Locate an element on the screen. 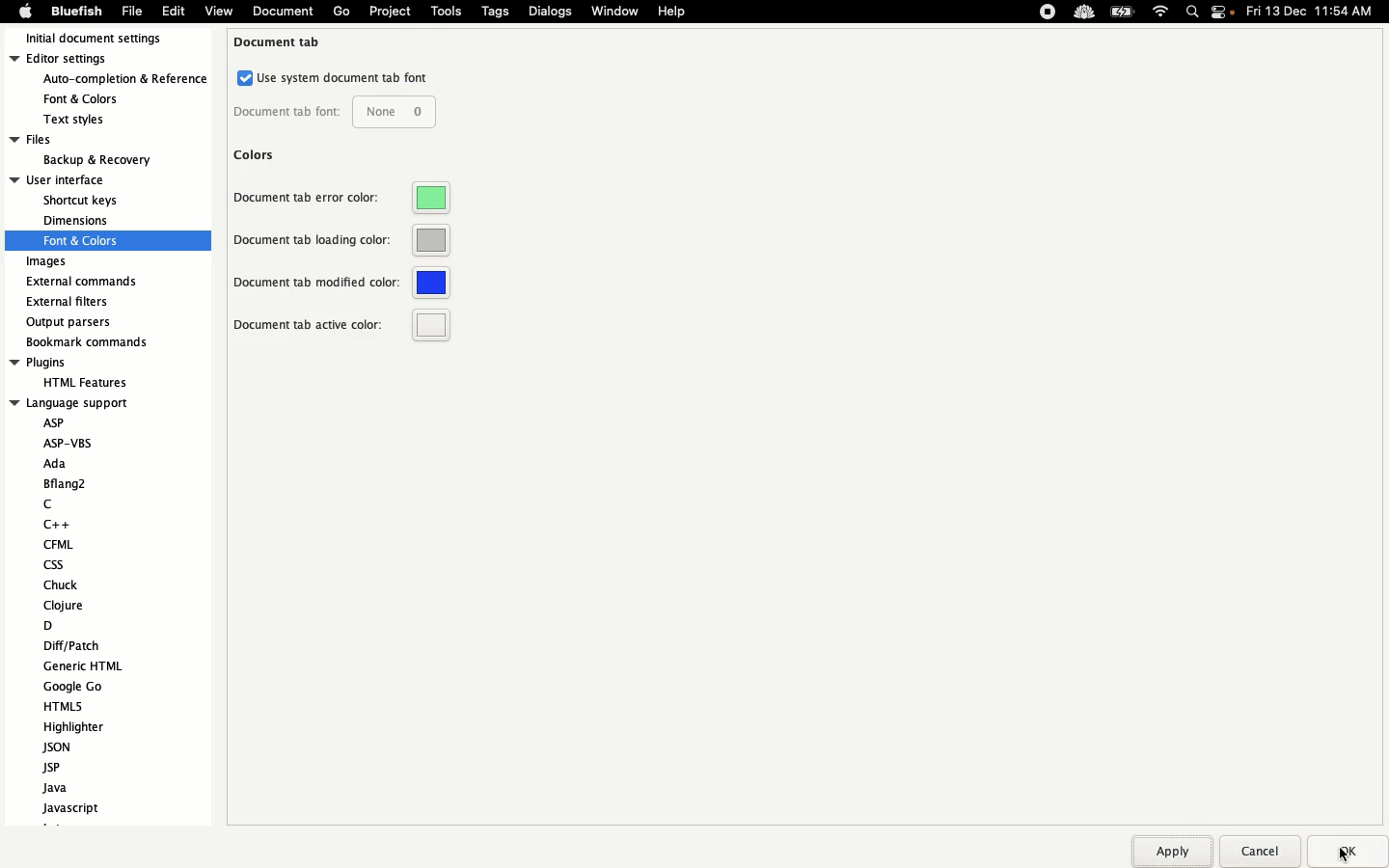 The image size is (1389, 868). Document tab font is located at coordinates (334, 113).